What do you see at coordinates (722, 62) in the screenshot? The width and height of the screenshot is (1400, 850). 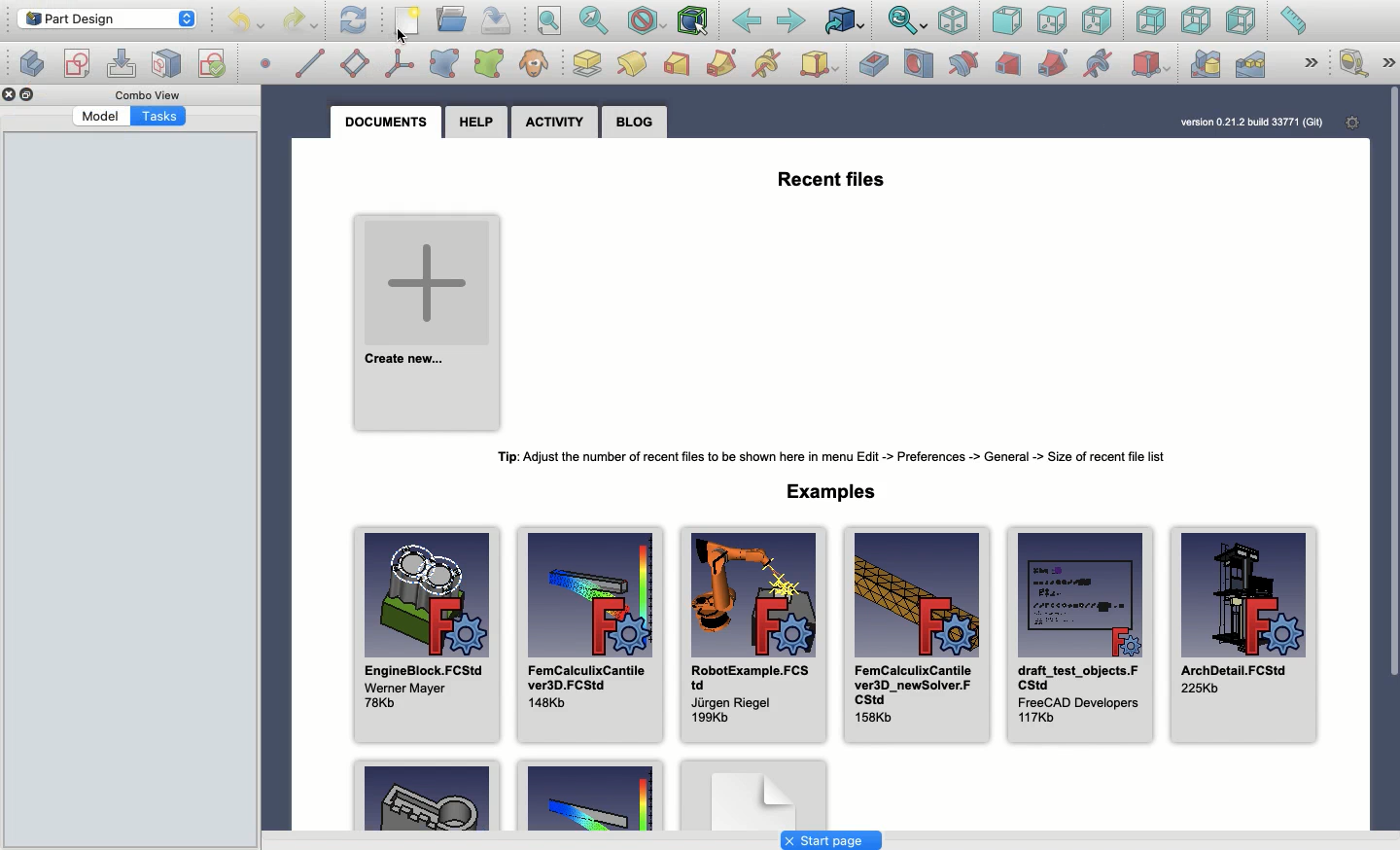 I see `Additive pipe` at bounding box center [722, 62].